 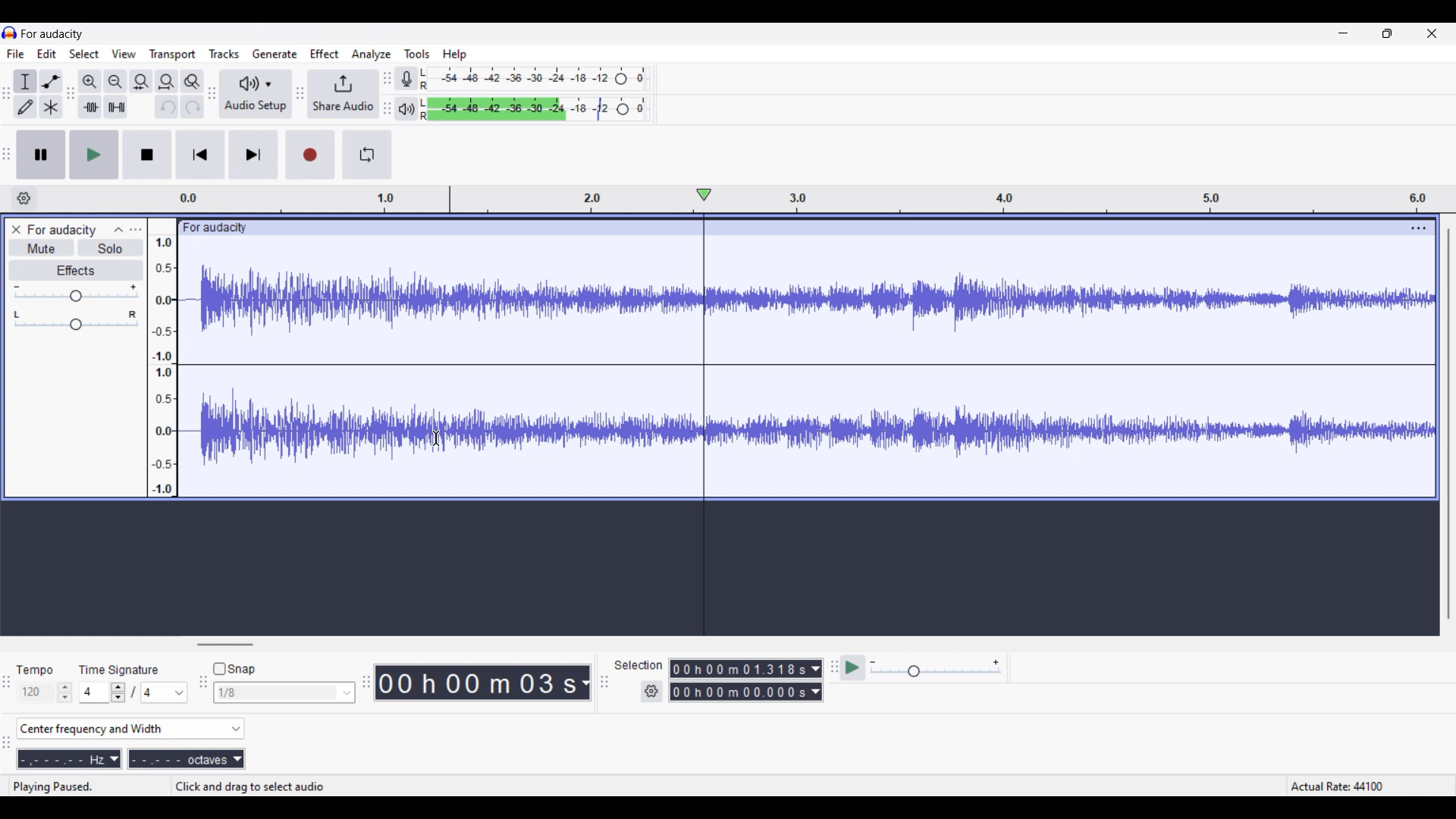 I want to click on Indicates selection duration settings, so click(x=638, y=664).